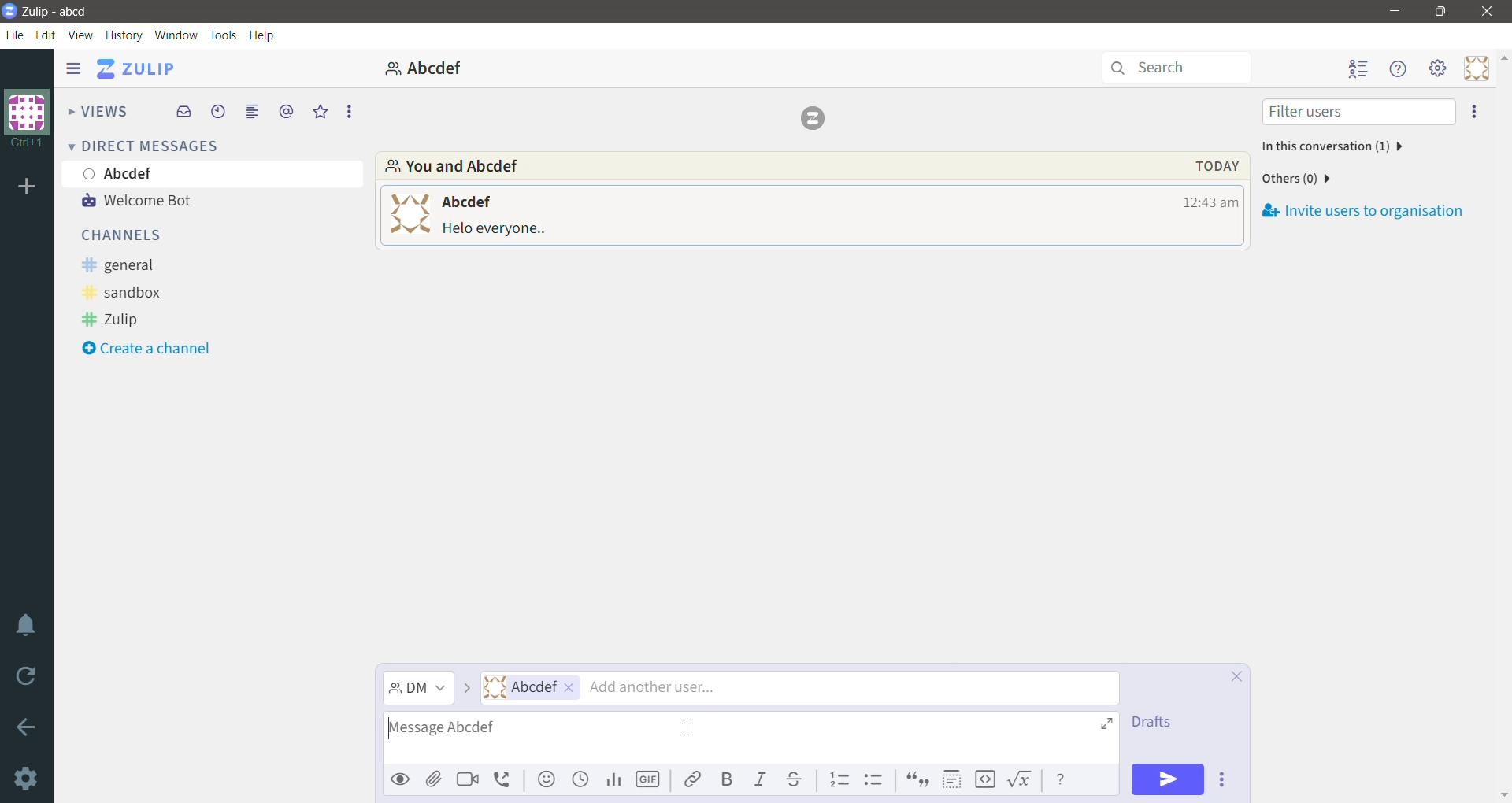 The height and width of the screenshot is (803, 1512). What do you see at coordinates (218, 112) in the screenshot?
I see `Recent Conversations` at bounding box center [218, 112].